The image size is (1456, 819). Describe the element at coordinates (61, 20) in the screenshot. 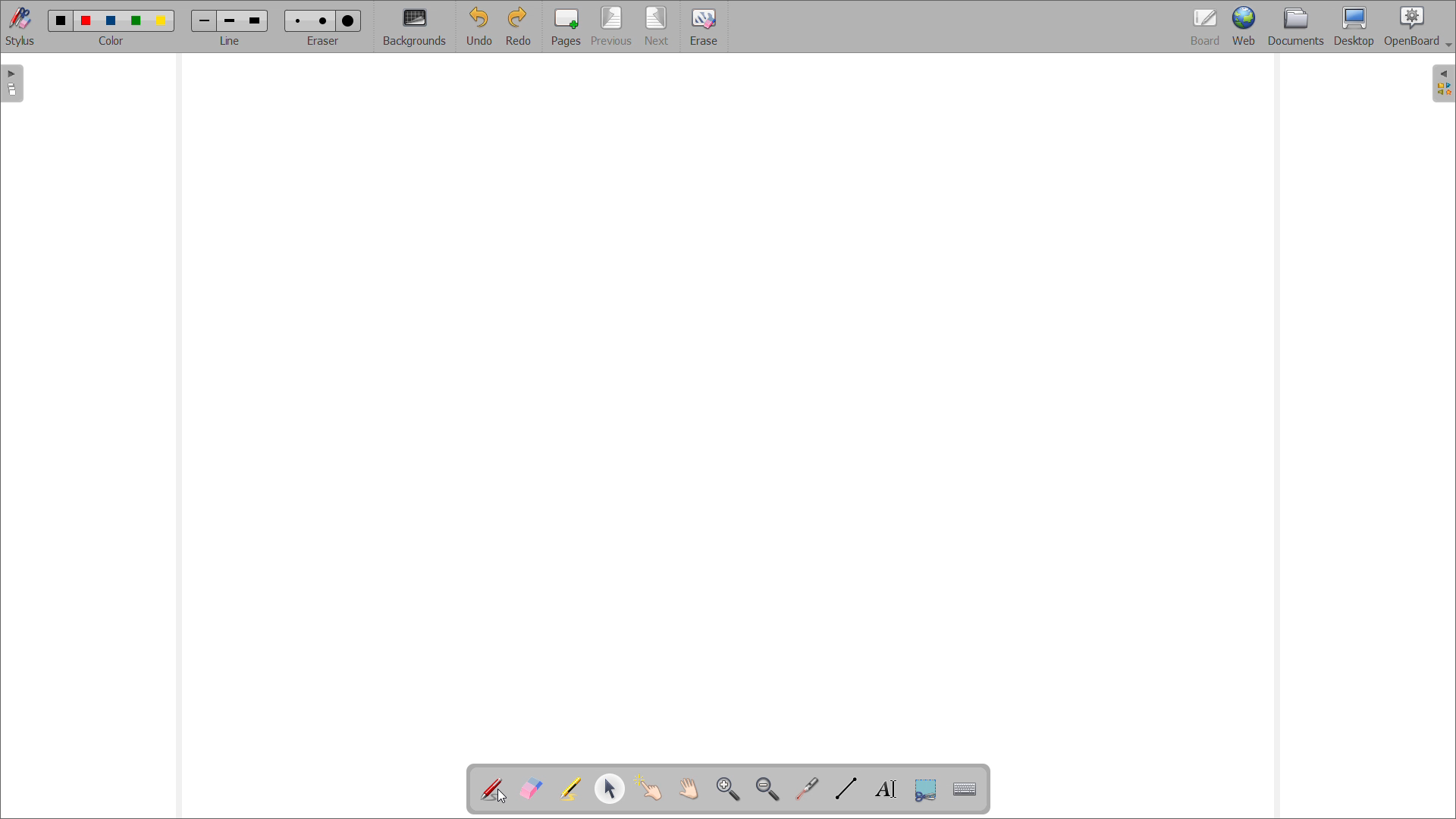

I see `color` at that location.